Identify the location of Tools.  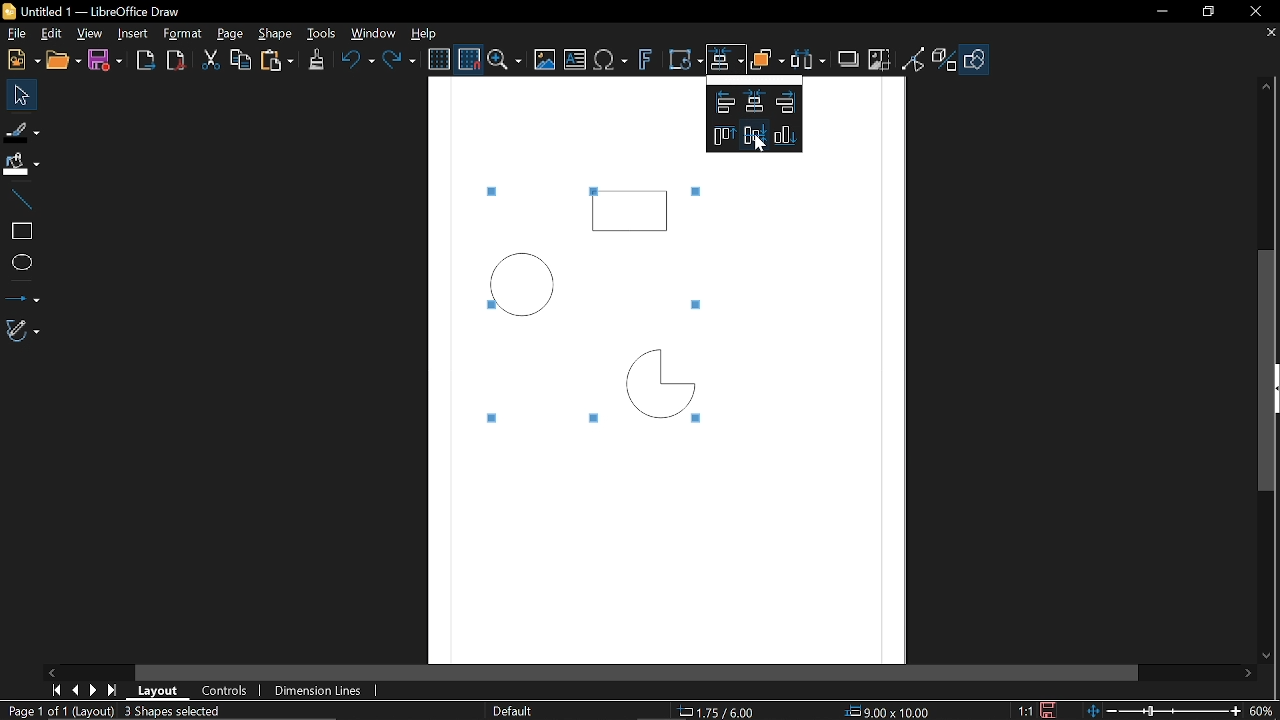
(322, 34).